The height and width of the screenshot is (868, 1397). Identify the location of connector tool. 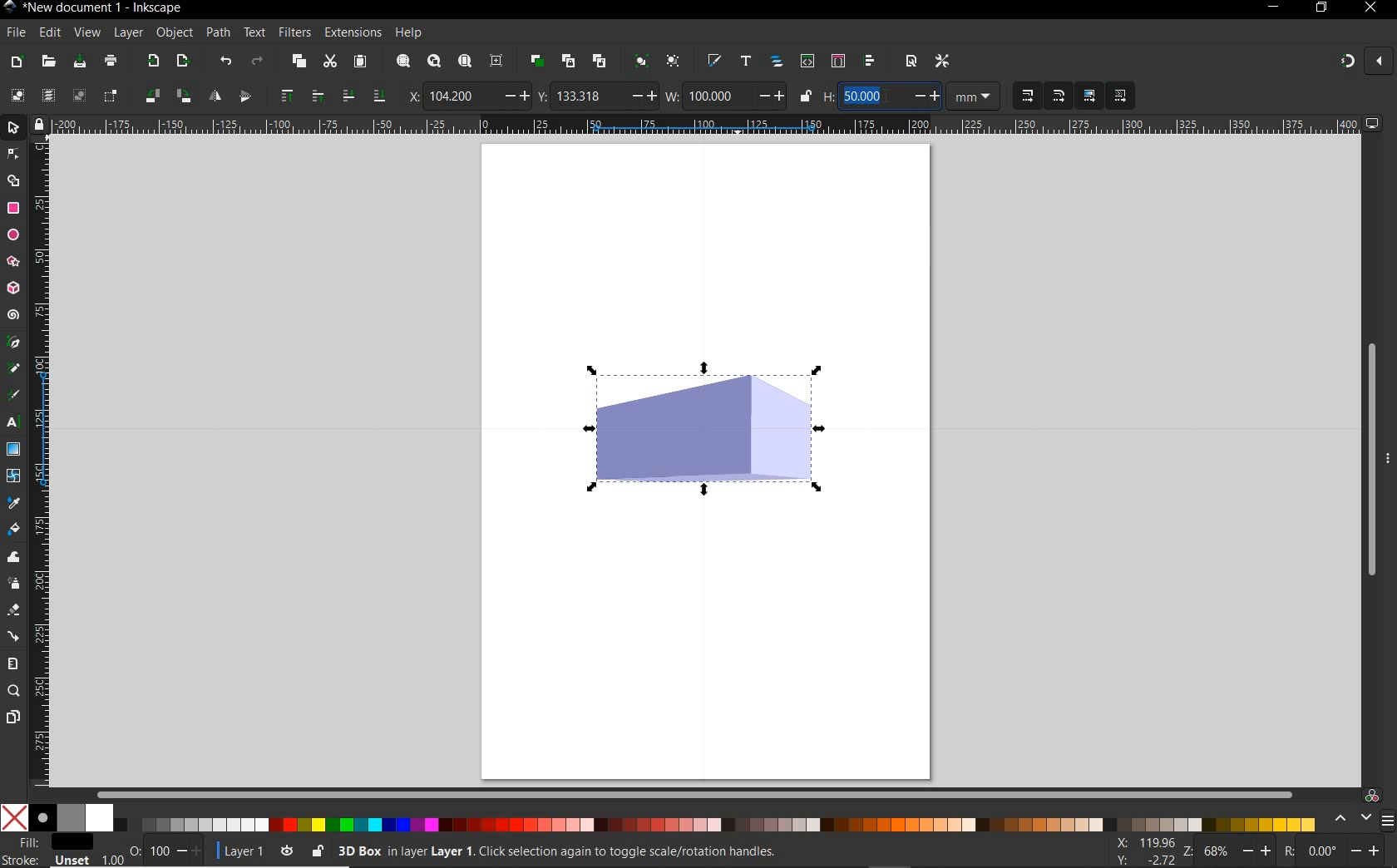
(15, 637).